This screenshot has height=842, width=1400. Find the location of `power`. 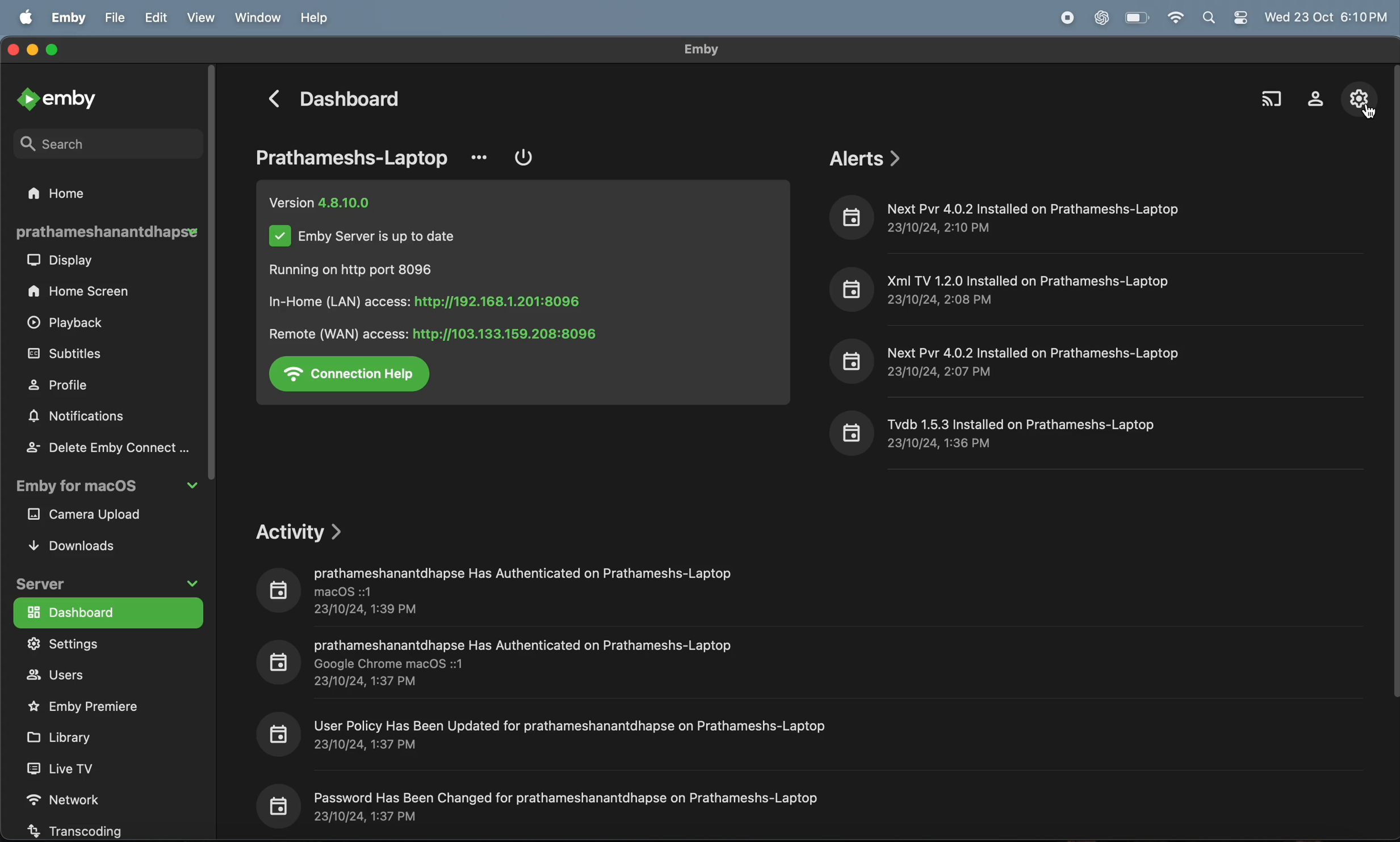

power is located at coordinates (527, 153).